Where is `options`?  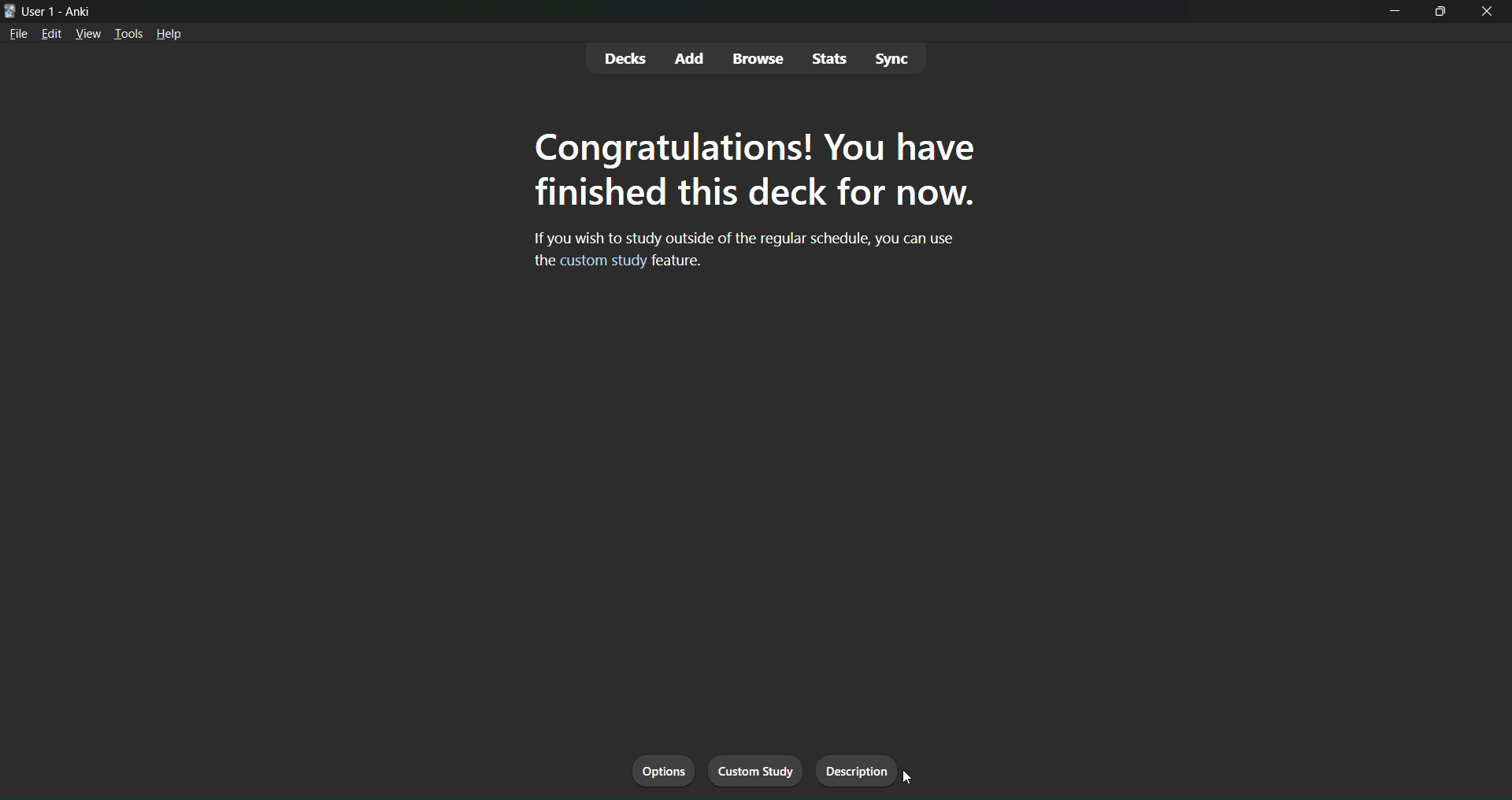
options is located at coordinates (661, 769).